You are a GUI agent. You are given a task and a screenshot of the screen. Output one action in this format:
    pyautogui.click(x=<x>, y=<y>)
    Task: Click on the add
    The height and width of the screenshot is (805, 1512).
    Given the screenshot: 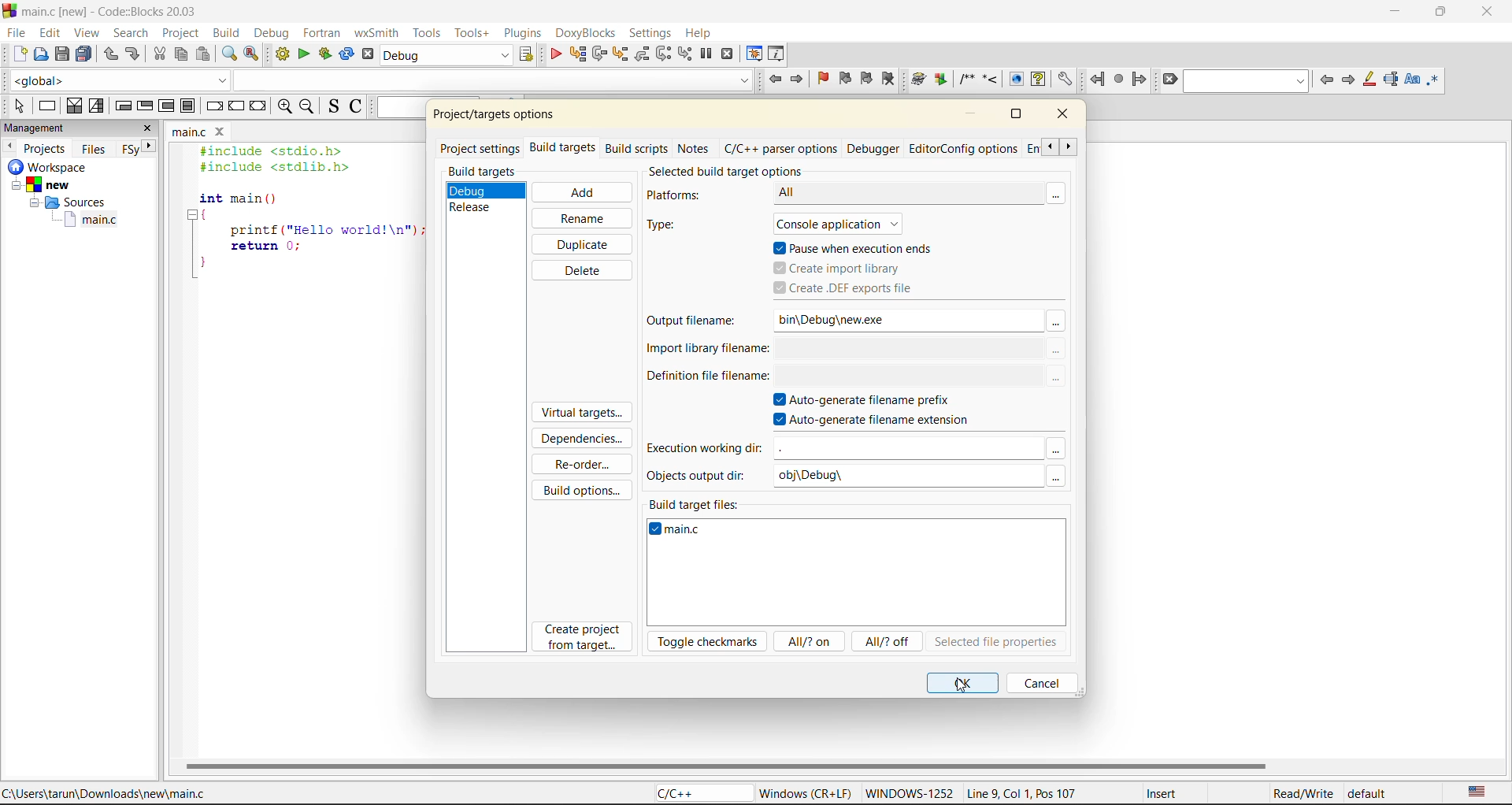 What is the action you would take?
    pyautogui.click(x=580, y=192)
    